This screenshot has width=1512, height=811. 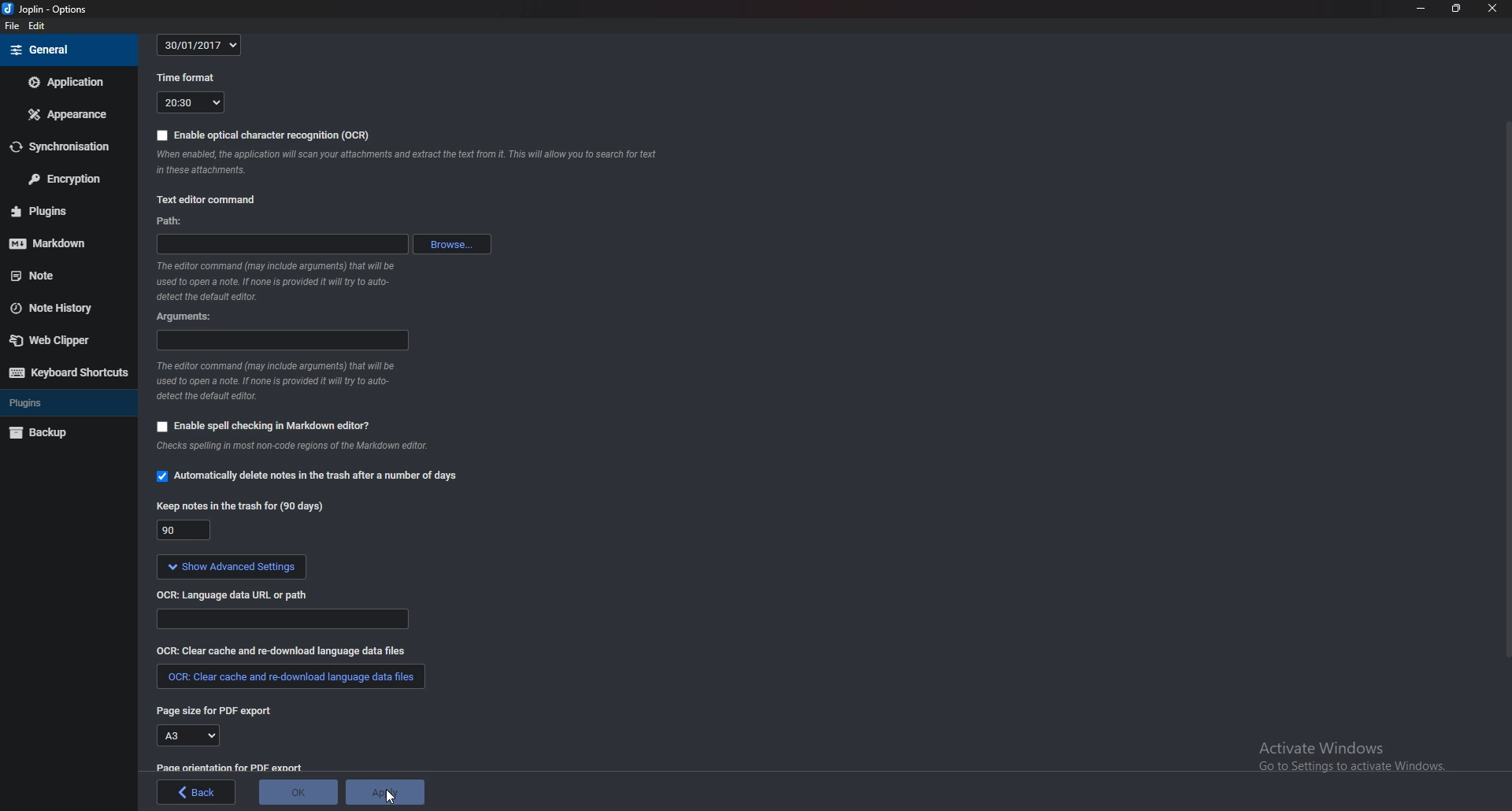 What do you see at coordinates (183, 531) in the screenshot?
I see `90 days` at bounding box center [183, 531].